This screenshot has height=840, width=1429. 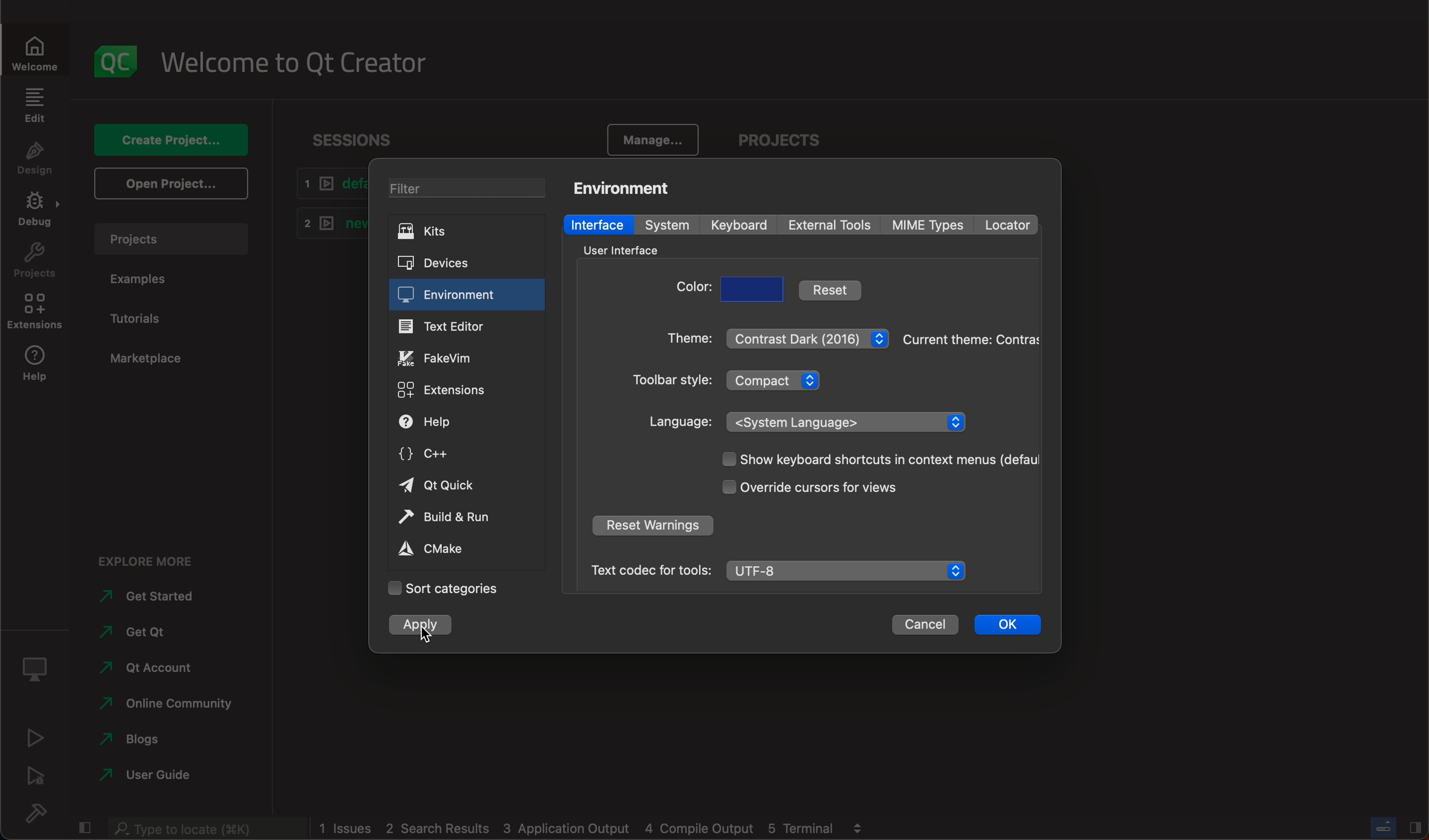 I want to click on help, so click(x=458, y=422).